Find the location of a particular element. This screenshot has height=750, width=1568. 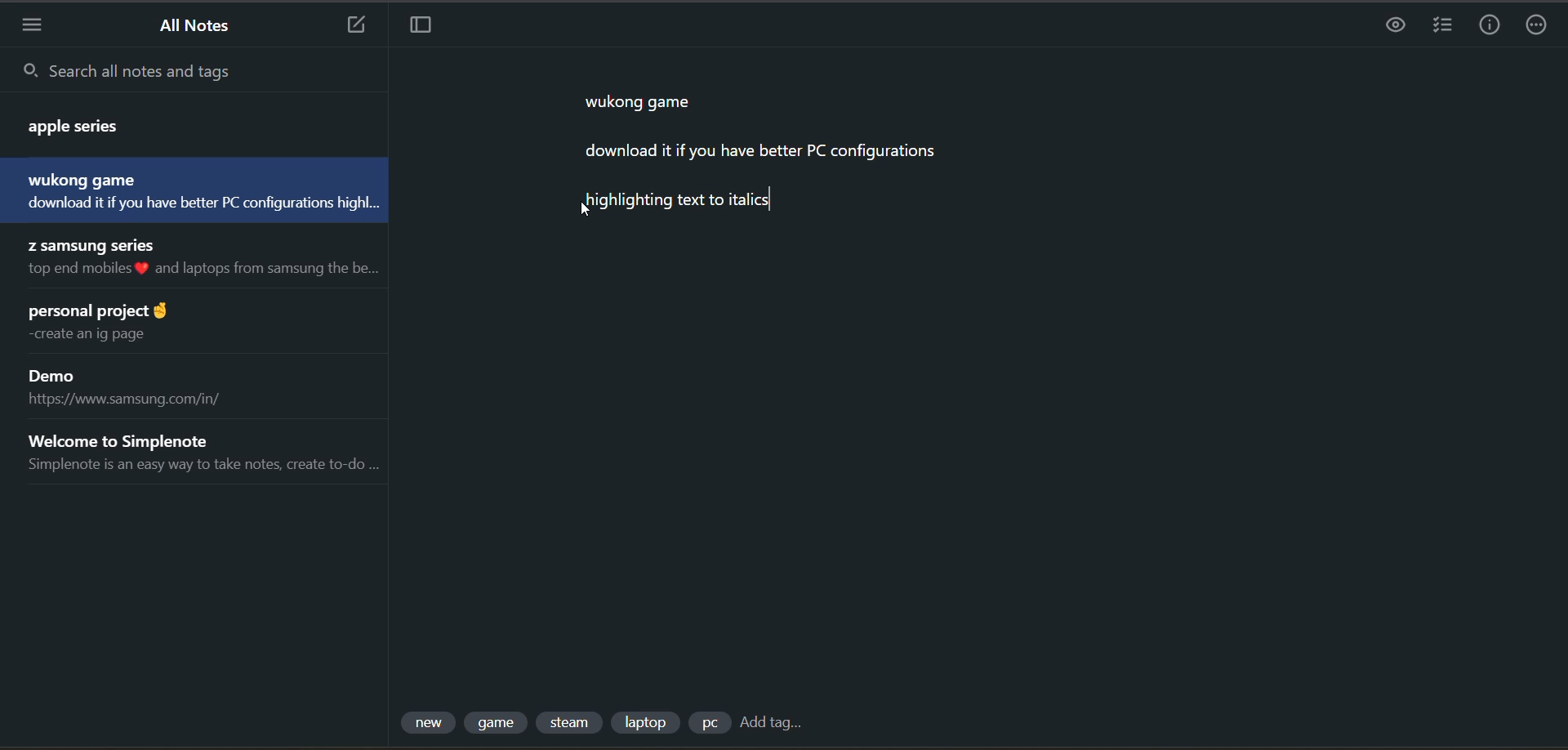

task preview is located at coordinates (1399, 26).